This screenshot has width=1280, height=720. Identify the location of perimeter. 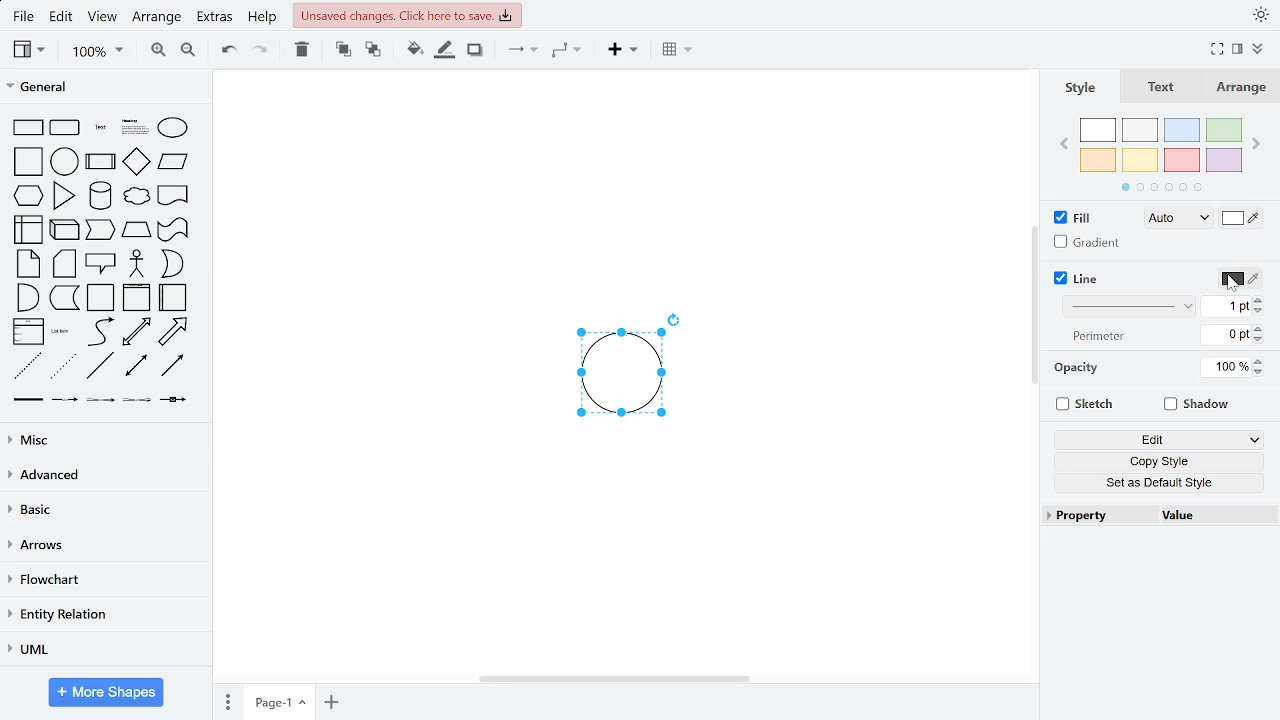
(1095, 336).